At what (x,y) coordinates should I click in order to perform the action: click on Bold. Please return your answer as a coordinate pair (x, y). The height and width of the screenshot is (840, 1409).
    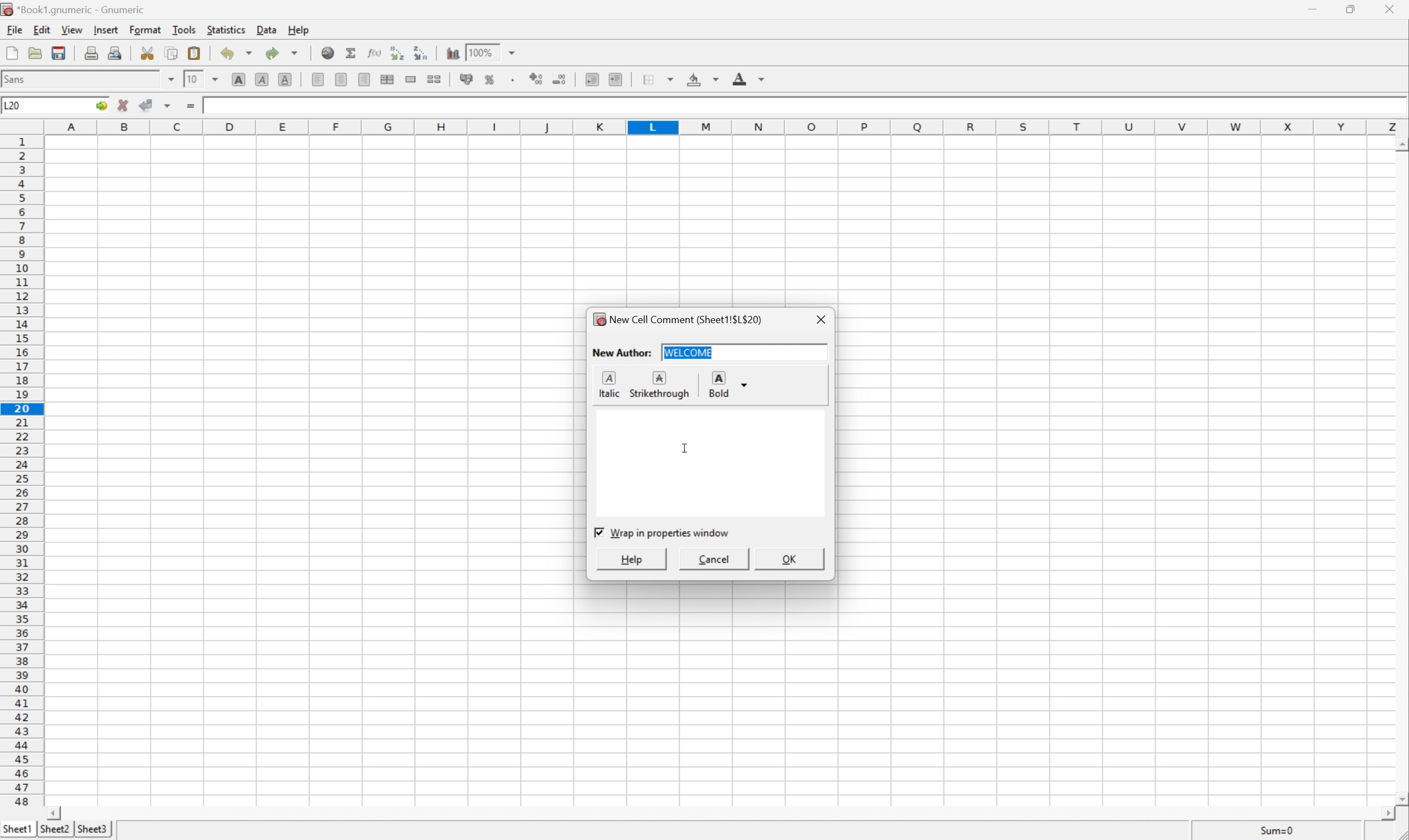
    Looking at the image, I should click on (237, 79).